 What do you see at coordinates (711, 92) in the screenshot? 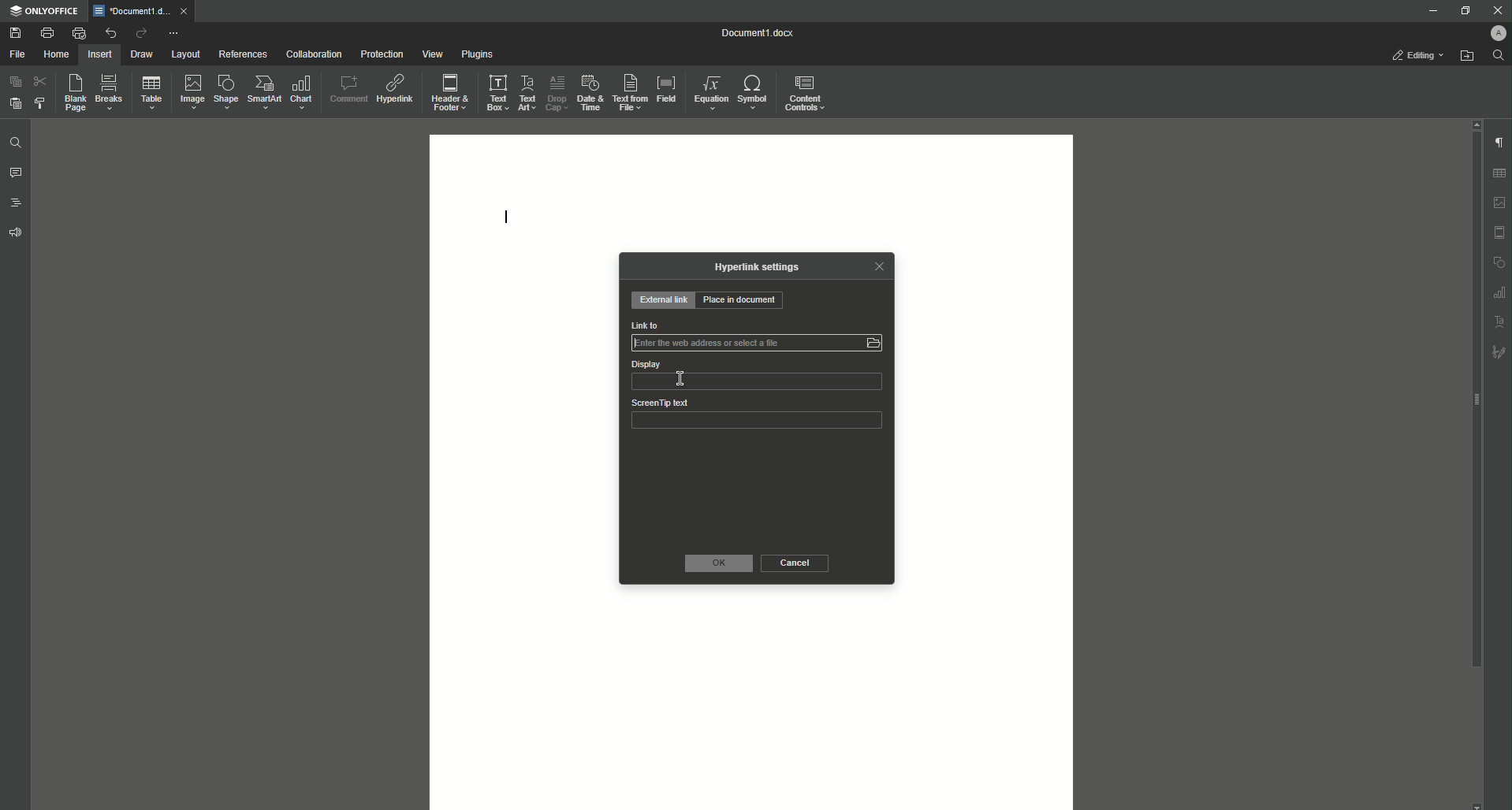
I see `Equation` at bounding box center [711, 92].